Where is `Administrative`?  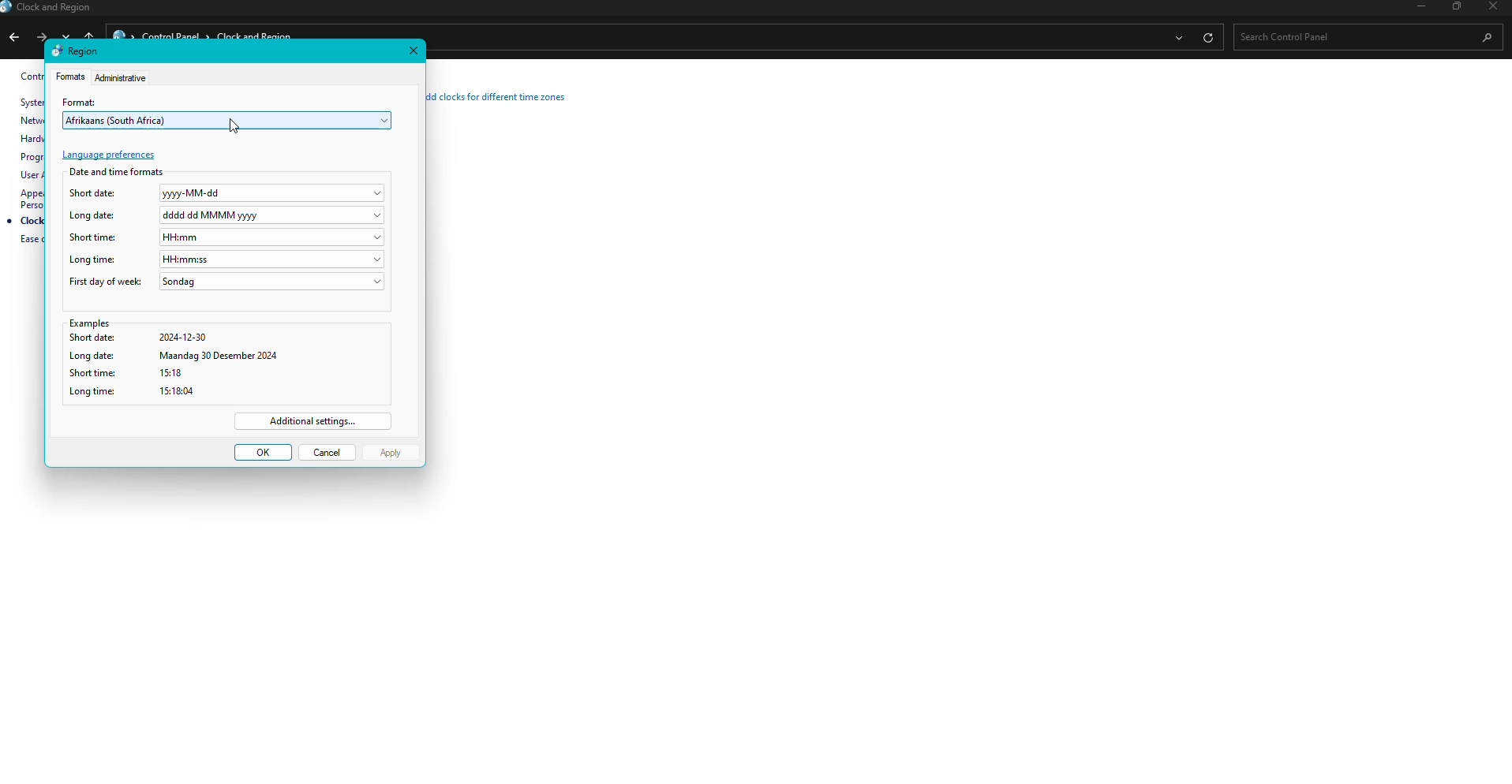
Administrative is located at coordinates (122, 77).